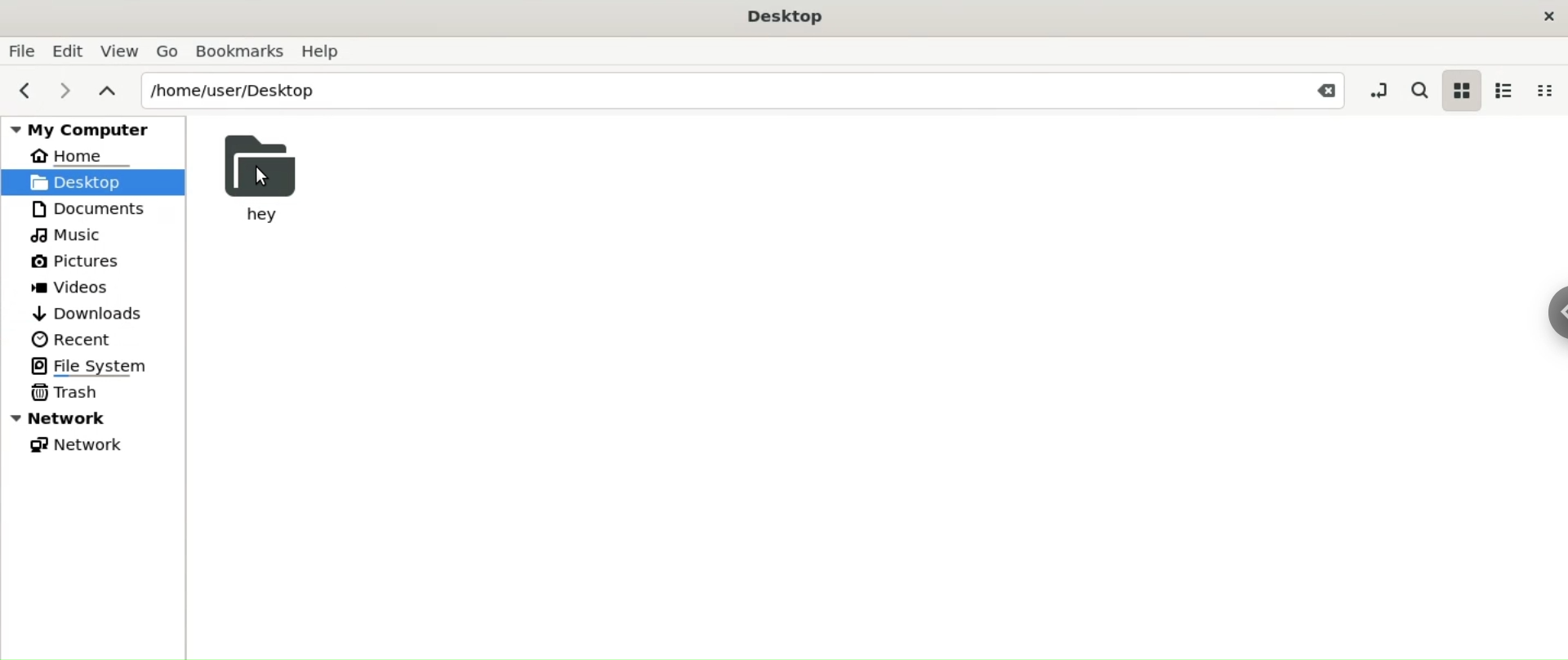 The height and width of the screenshot is (660, 1568). Describe the element at coordinates (276, 176) in the screenshot. I see `hey` at that location.